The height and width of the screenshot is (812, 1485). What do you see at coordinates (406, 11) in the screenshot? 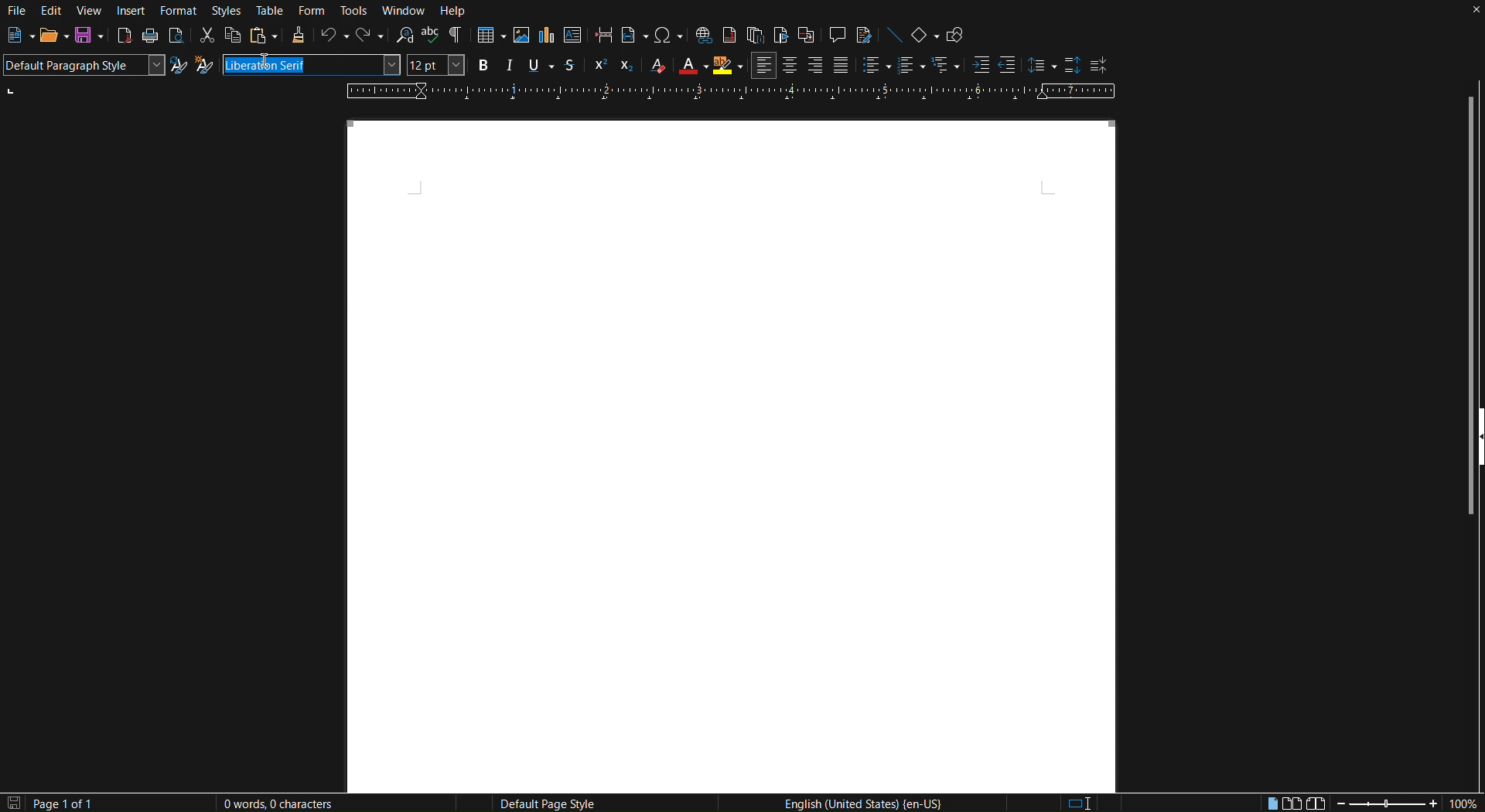
I see `Window` at bounding box center [406, 11].